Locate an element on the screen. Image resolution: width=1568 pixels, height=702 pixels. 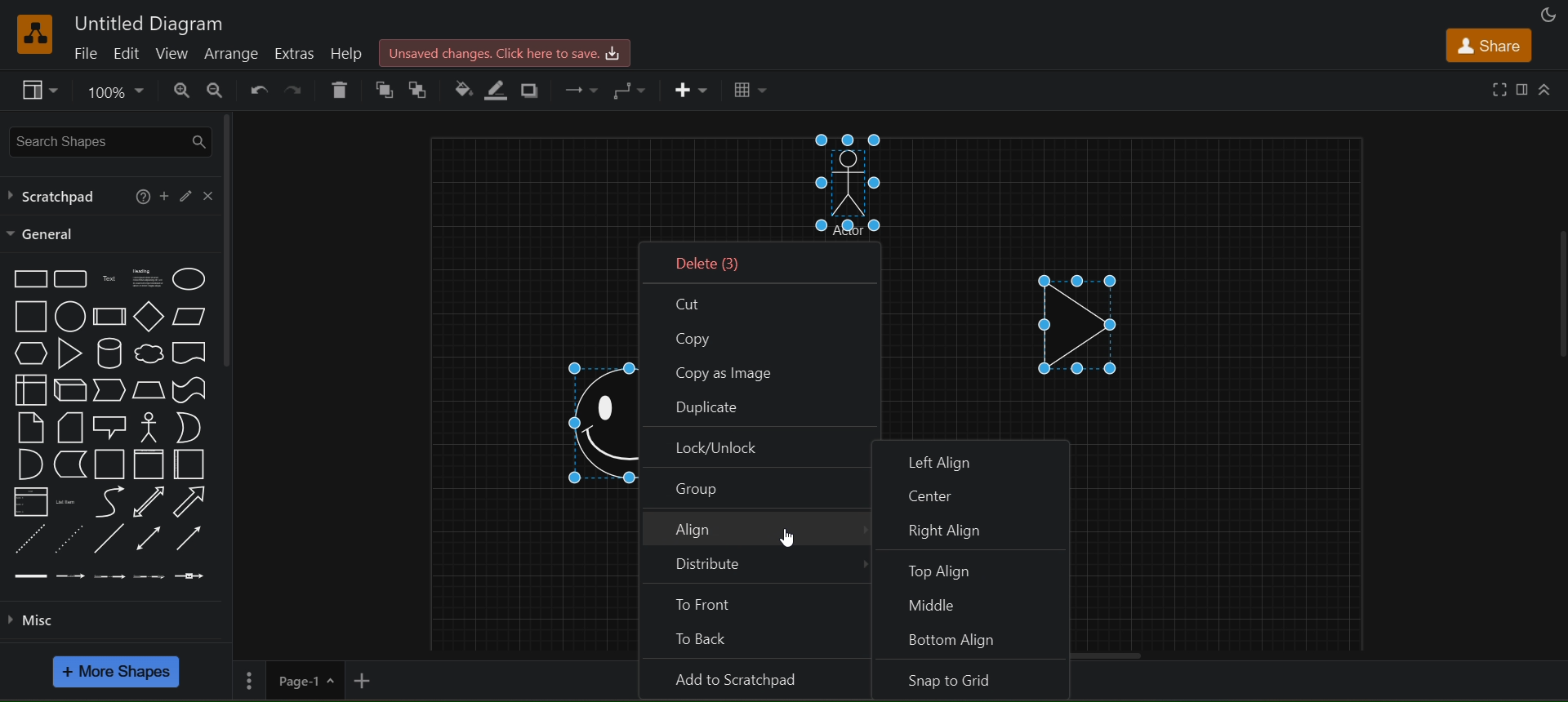
duplicate is located at coordinates (759, 407).